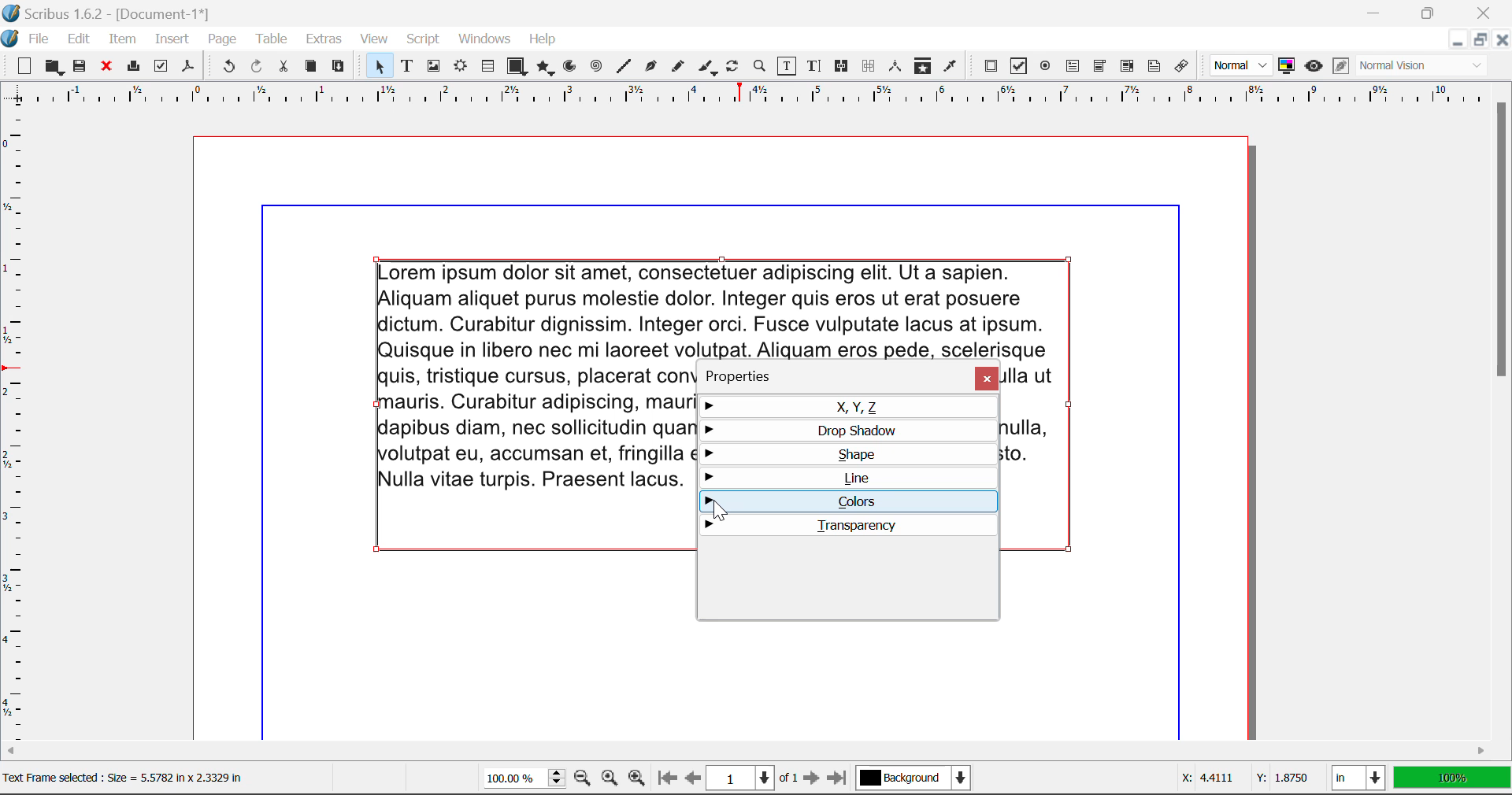 This screenshot has width=1512, height=795. What do you see at coordinates (752, 778) in the screenshot?
I see `Page 1 of 1` at bounding box center [752, 778].